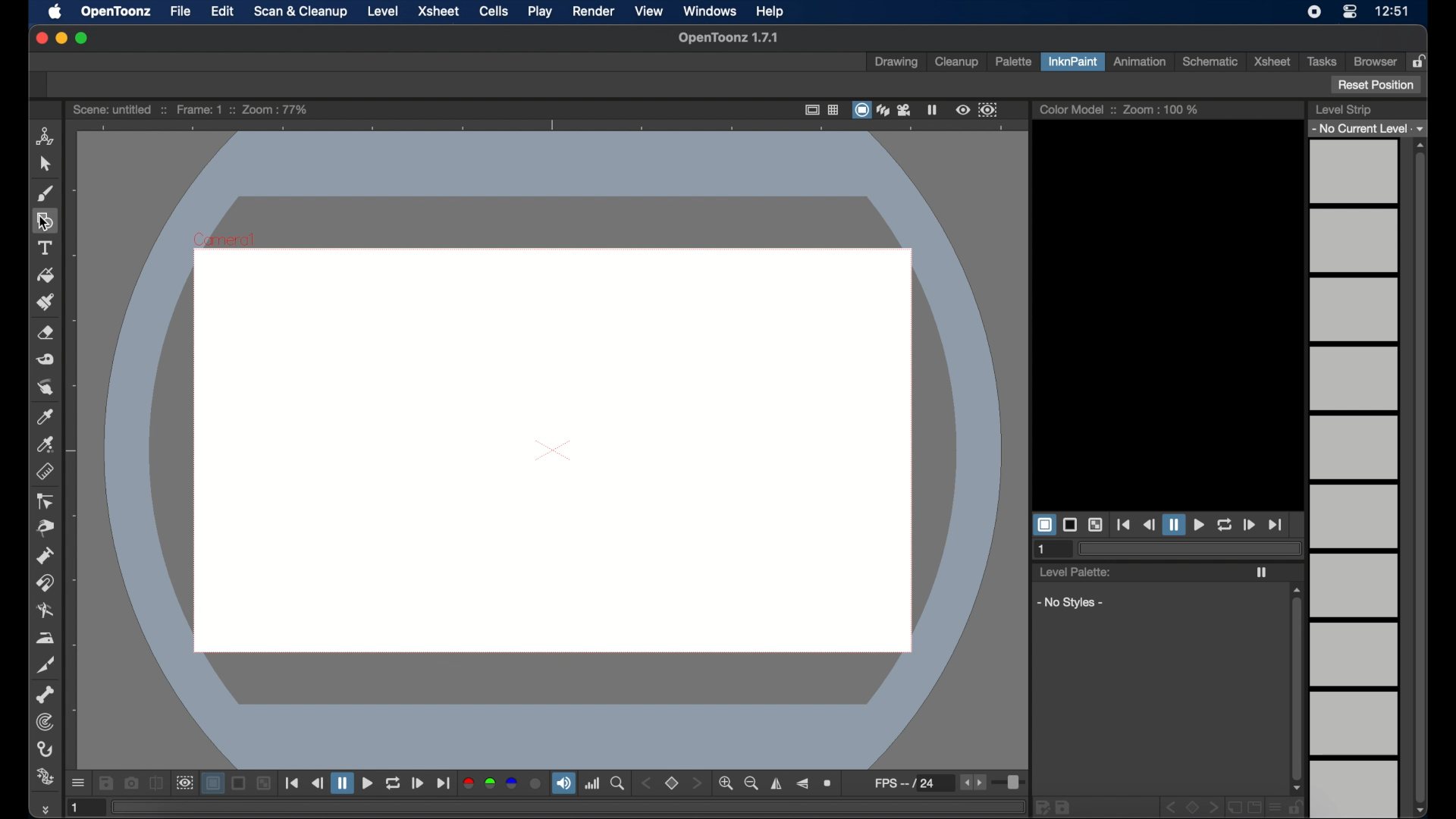 This screenshot has width=1456, height=819. I want to click on cutter tool, so click(45, 665).